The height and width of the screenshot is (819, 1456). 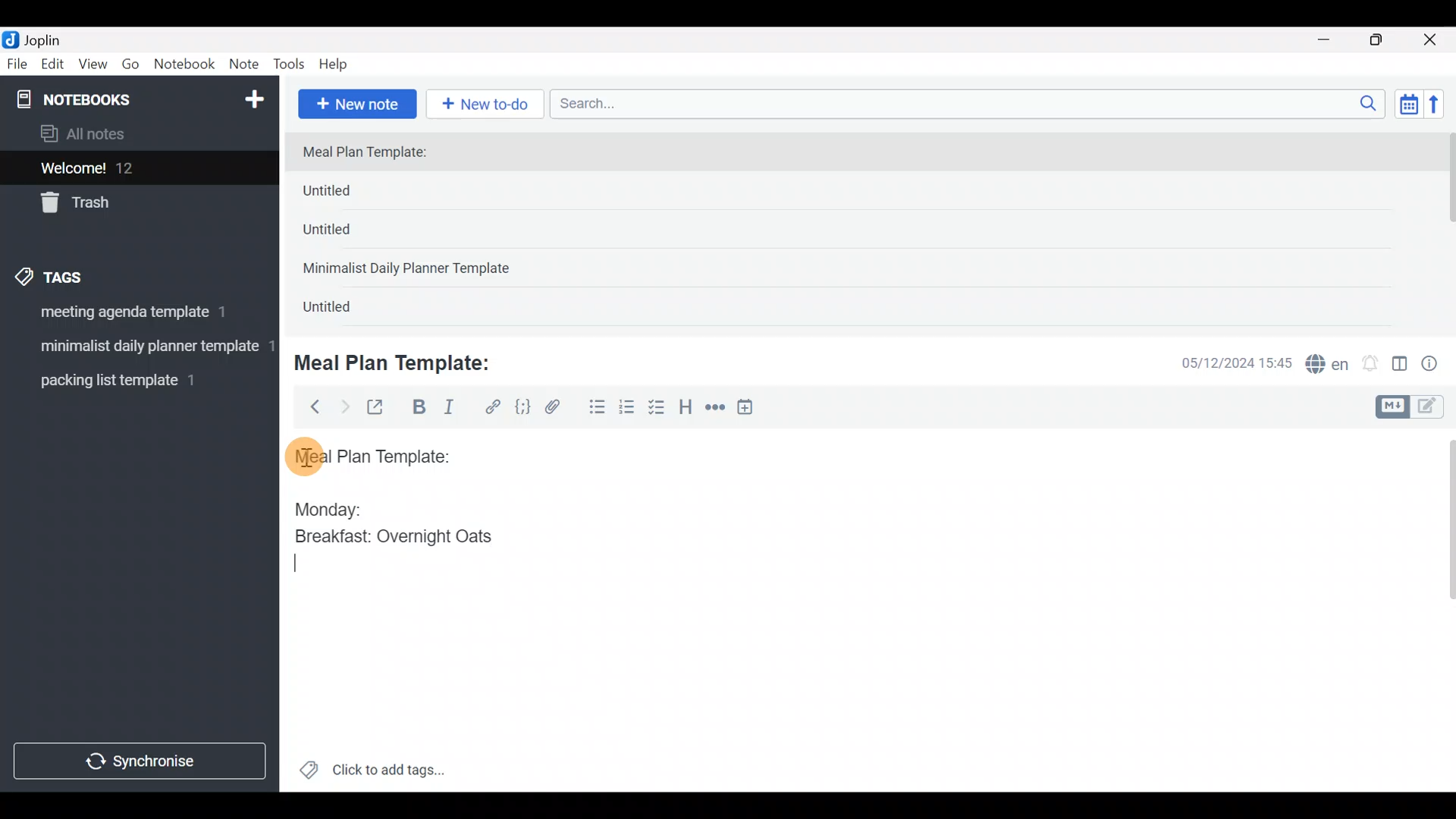 What do you see at coordinates (135, 316) in the screenshot?
I see `Tag 1` at bounding box center [135, 316].